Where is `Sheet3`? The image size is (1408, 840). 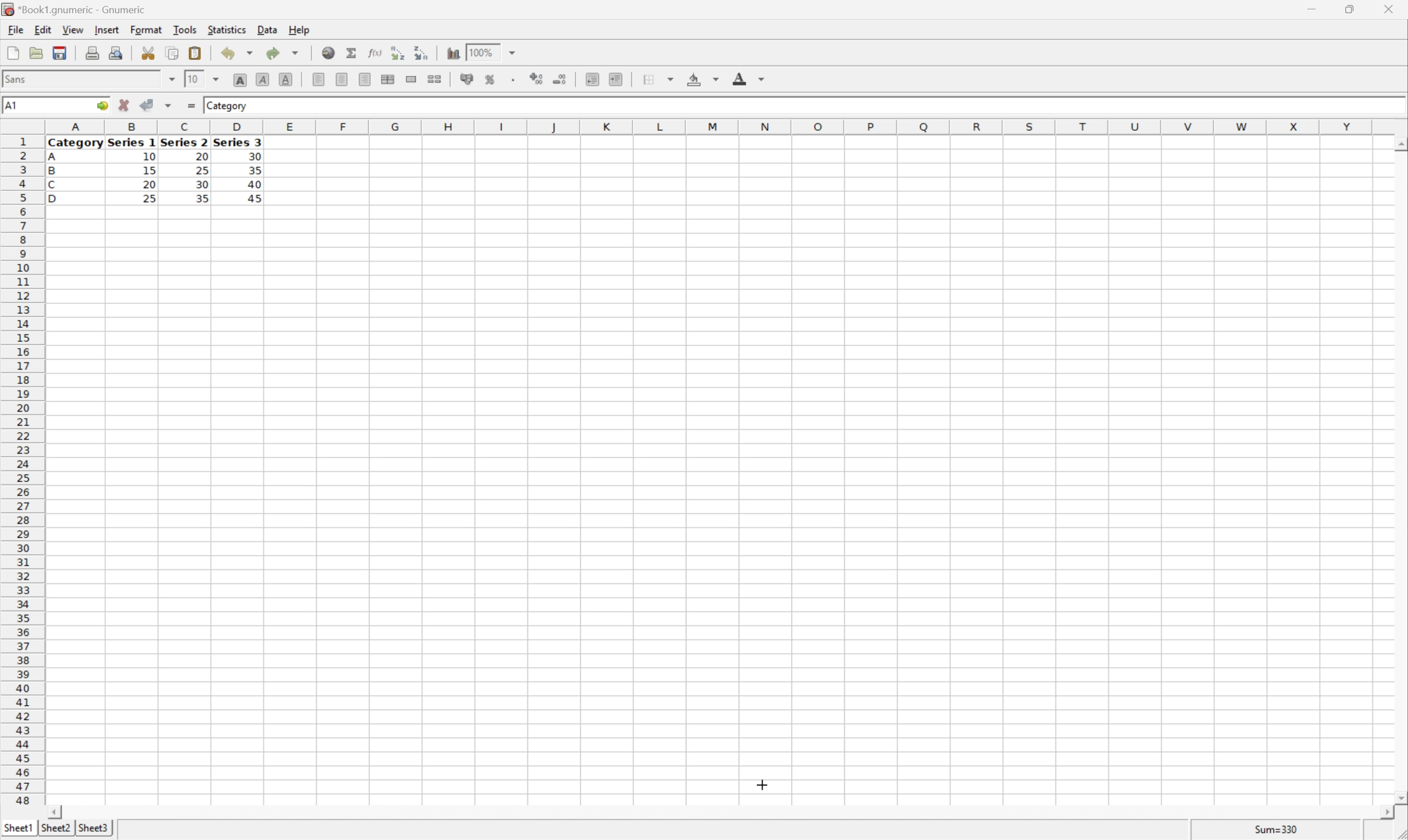
Sheet3 is located at coordinates (95, 828).